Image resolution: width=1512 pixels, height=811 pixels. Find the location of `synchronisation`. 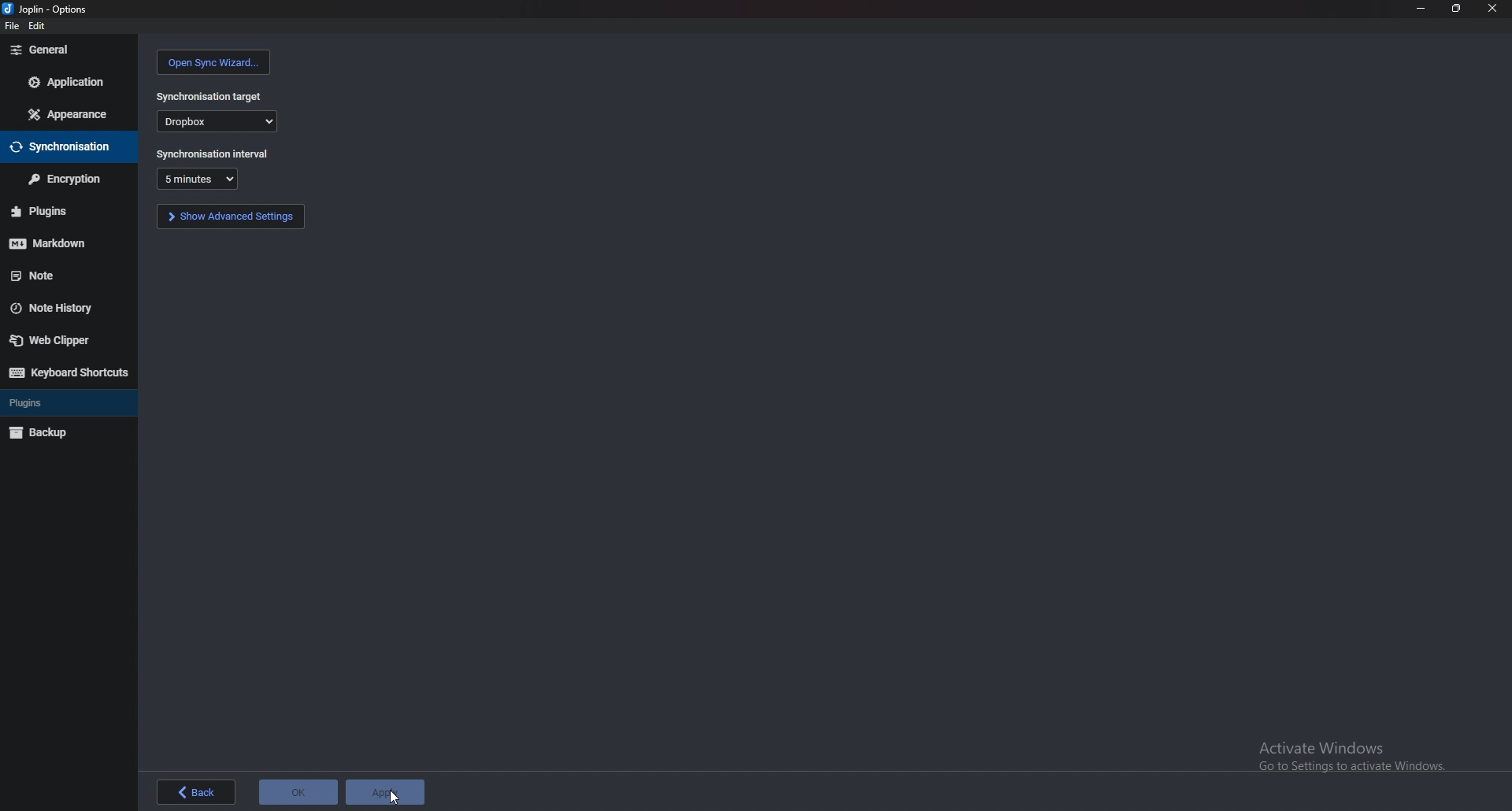

synchronisation is located at coordinates (62, 146).